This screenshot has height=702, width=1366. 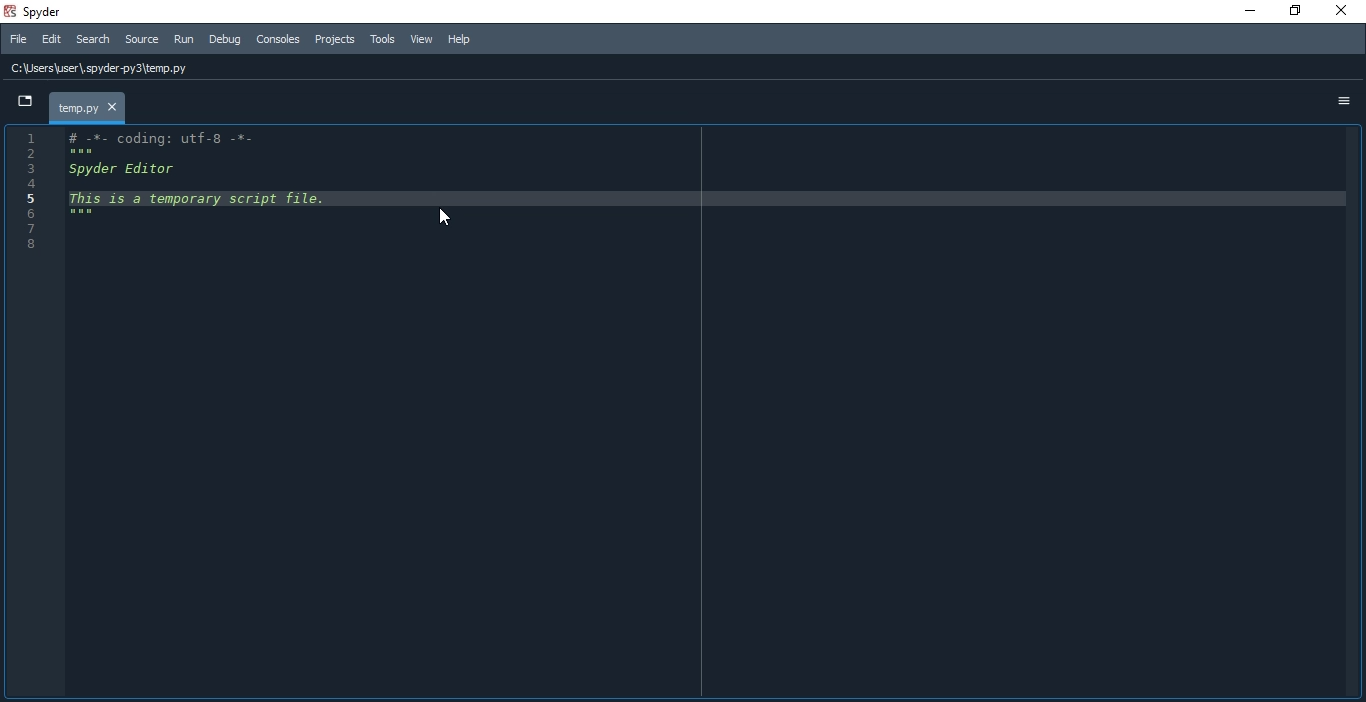 What do you see at coordinates (15, 40) in the screenshot?
I see `File ` at bounding box center [15, 40].